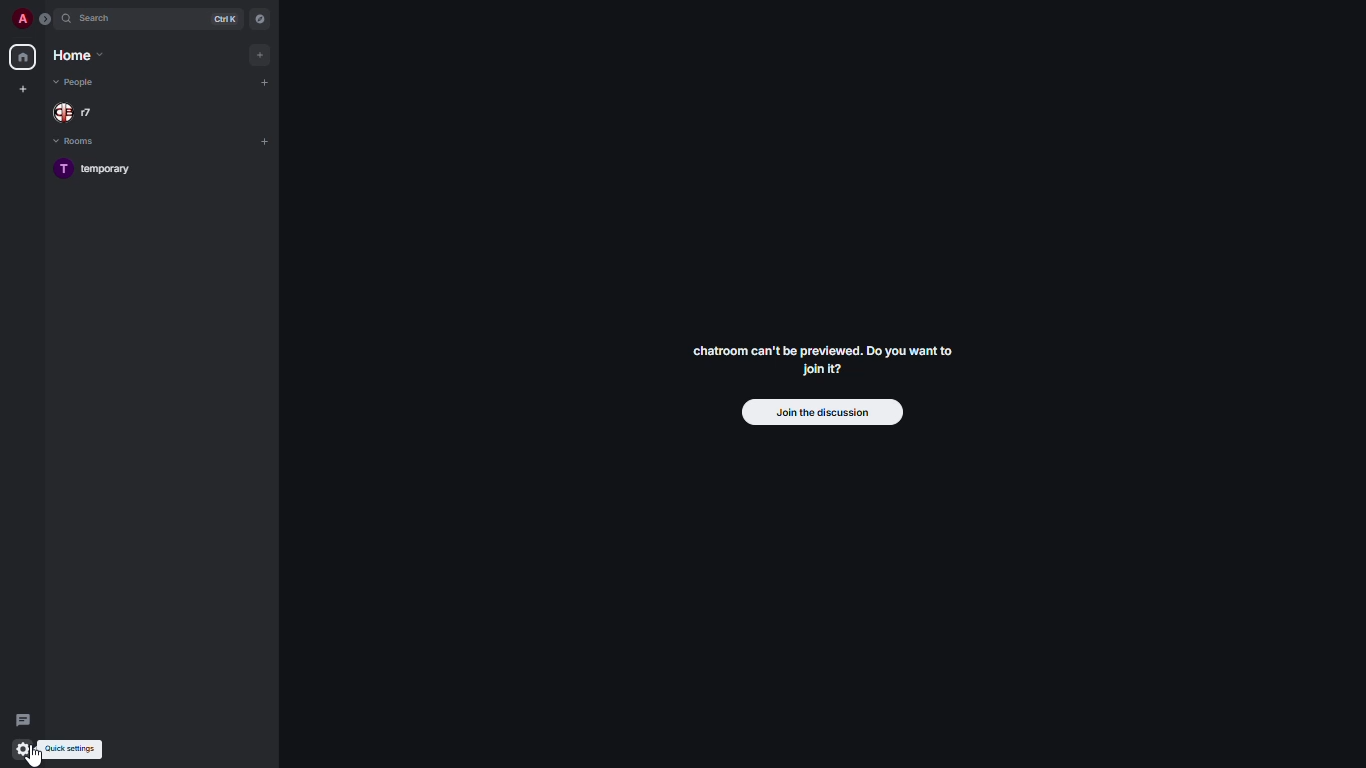  I want to click on chatroom can't be previewed, so click(819, 360).